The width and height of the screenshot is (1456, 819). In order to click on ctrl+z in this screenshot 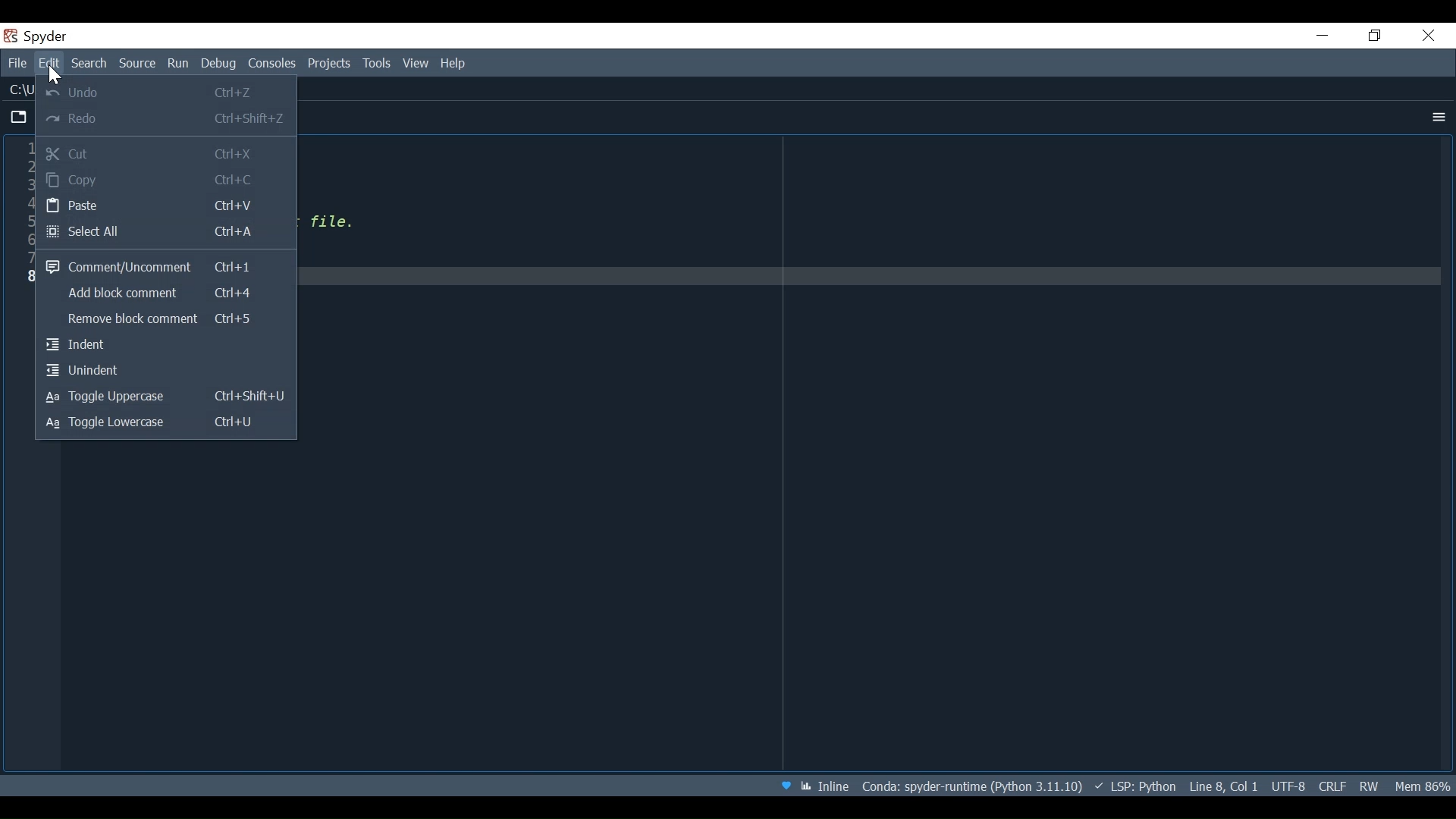, I will do `click(241, 93)`.